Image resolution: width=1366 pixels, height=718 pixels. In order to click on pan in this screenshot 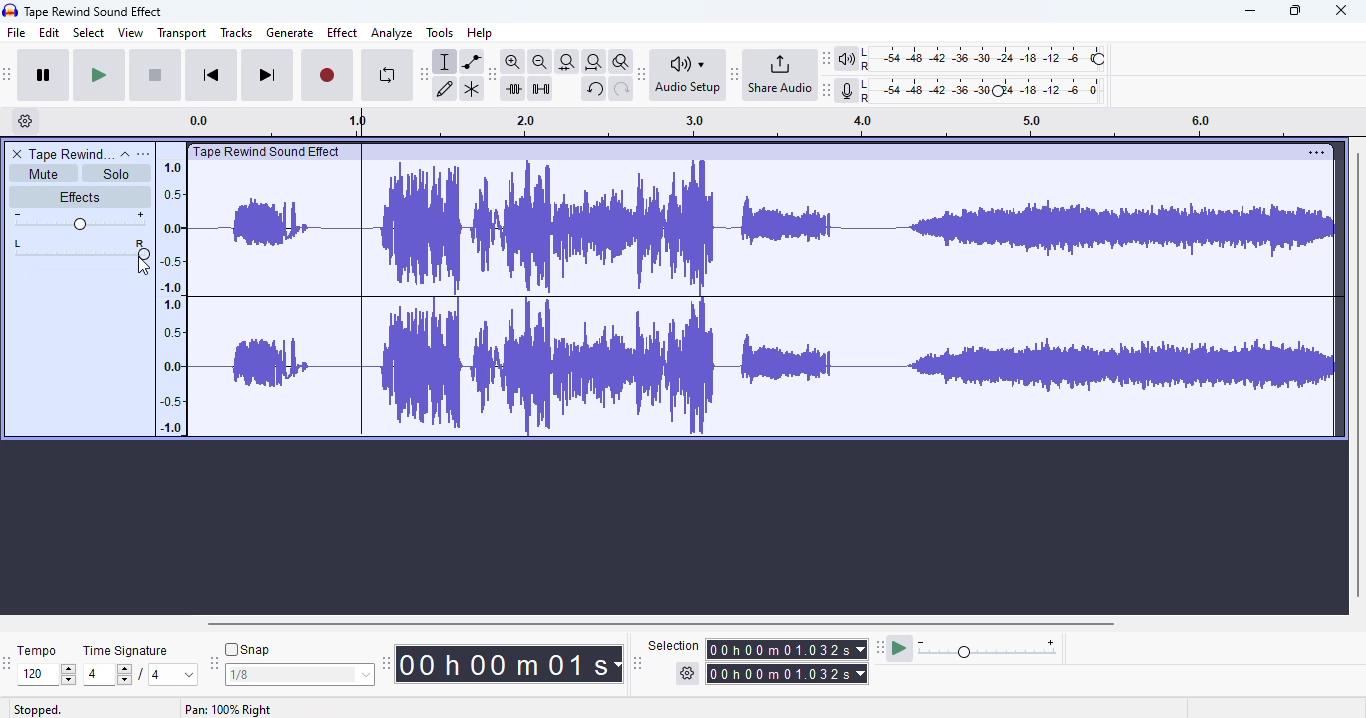, I will do `click(95, 249)`.